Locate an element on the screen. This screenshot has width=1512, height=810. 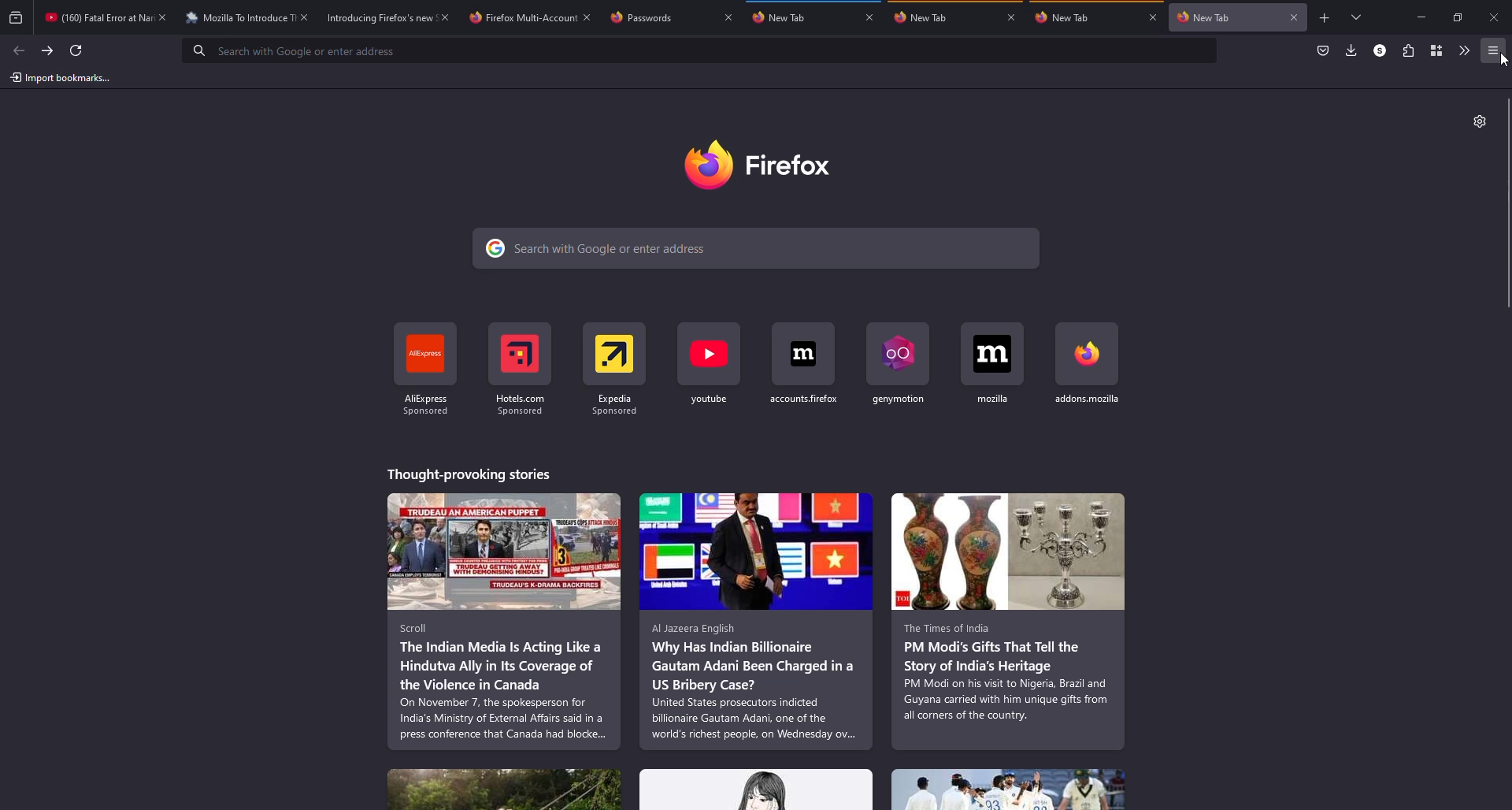
stories is located at coordinates (1008, 622).